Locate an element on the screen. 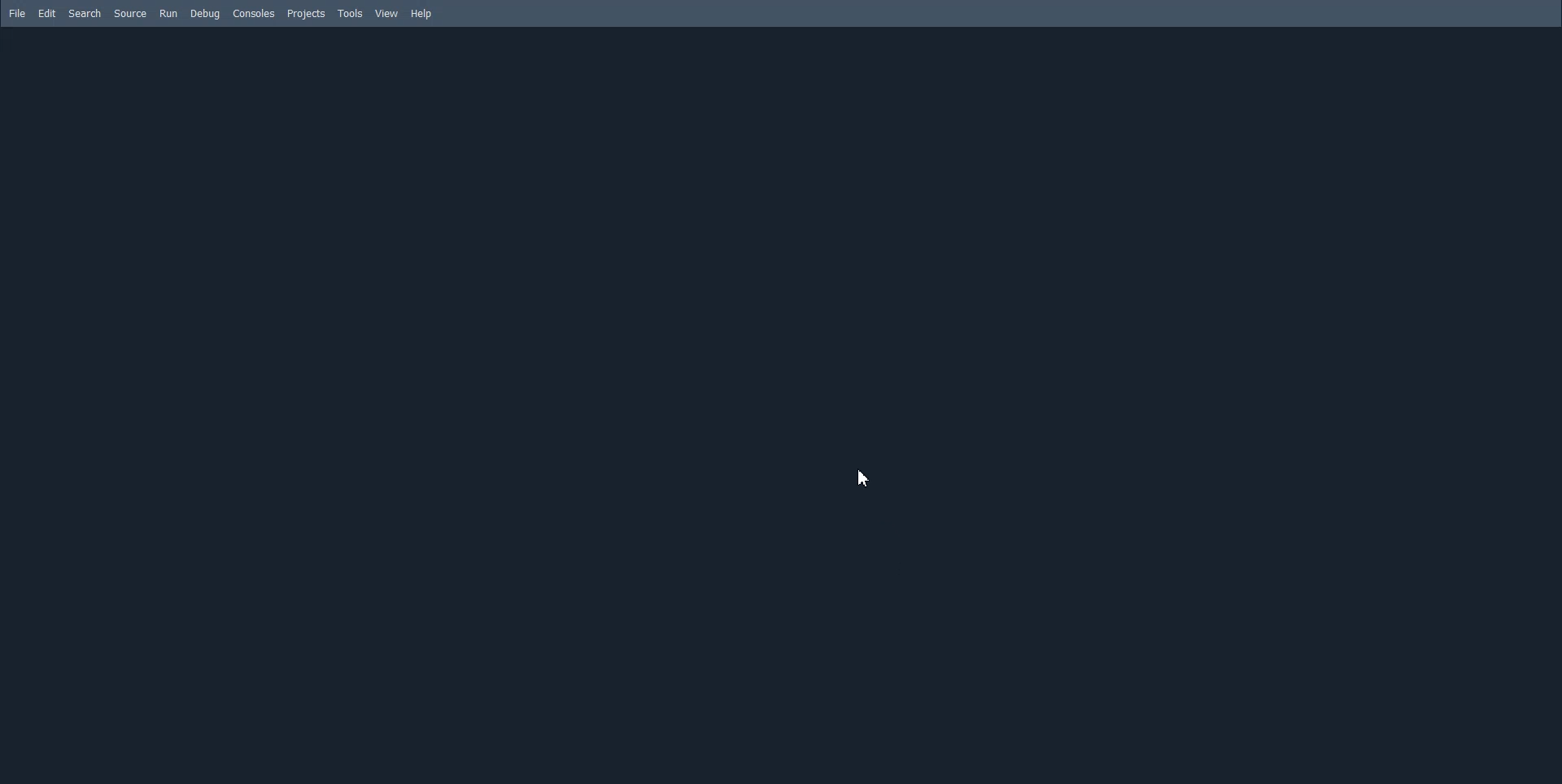 The width and height of the screenshot is (1562, 784). File is located at coordinates (16, 13).